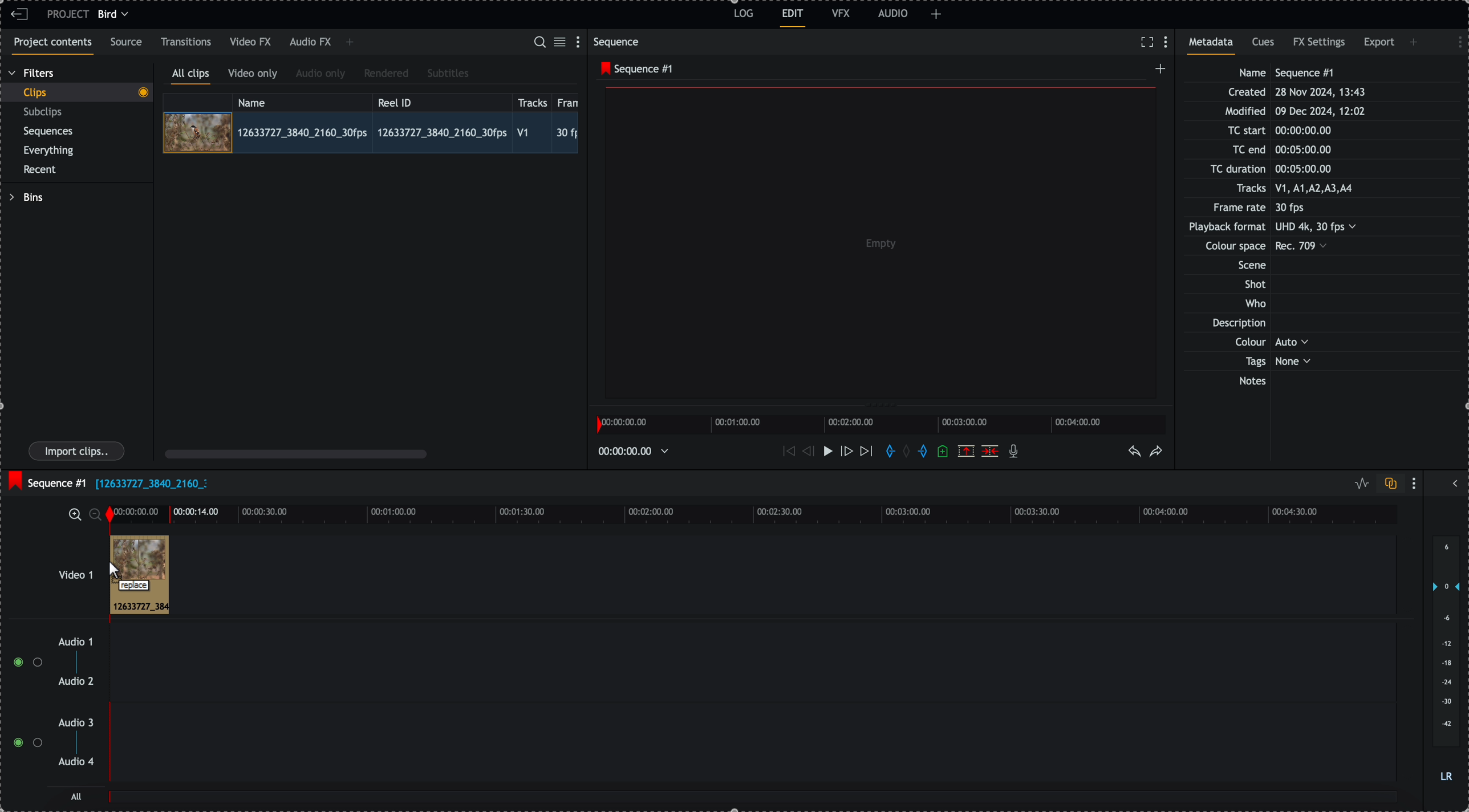  What do you see at coordinates (129, 575) in the screenshot?
I see `mouse up` at bounding box center [129, 575].